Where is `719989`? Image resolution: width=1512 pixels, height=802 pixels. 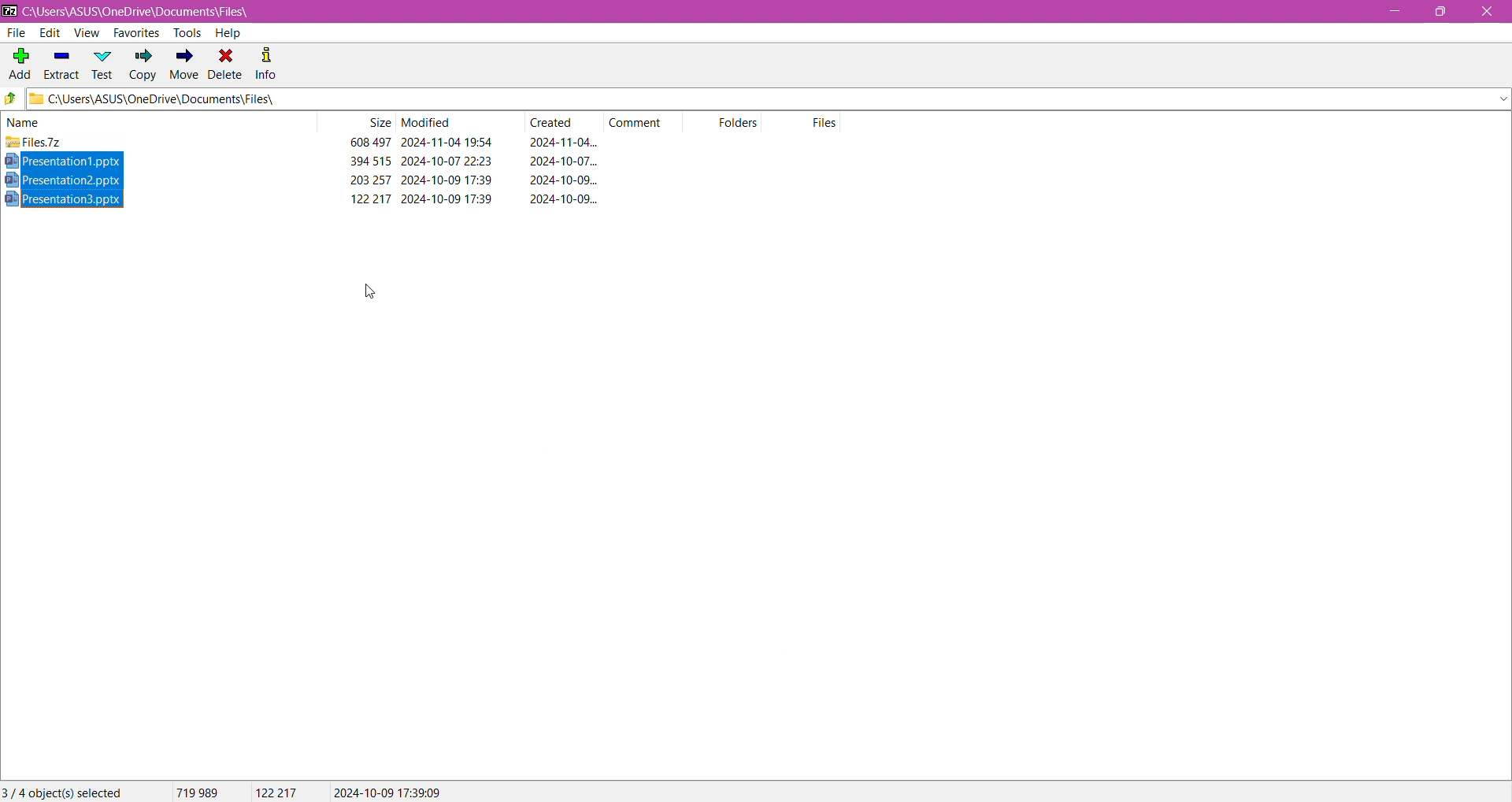
719989 is located at coordinates (195, 792).